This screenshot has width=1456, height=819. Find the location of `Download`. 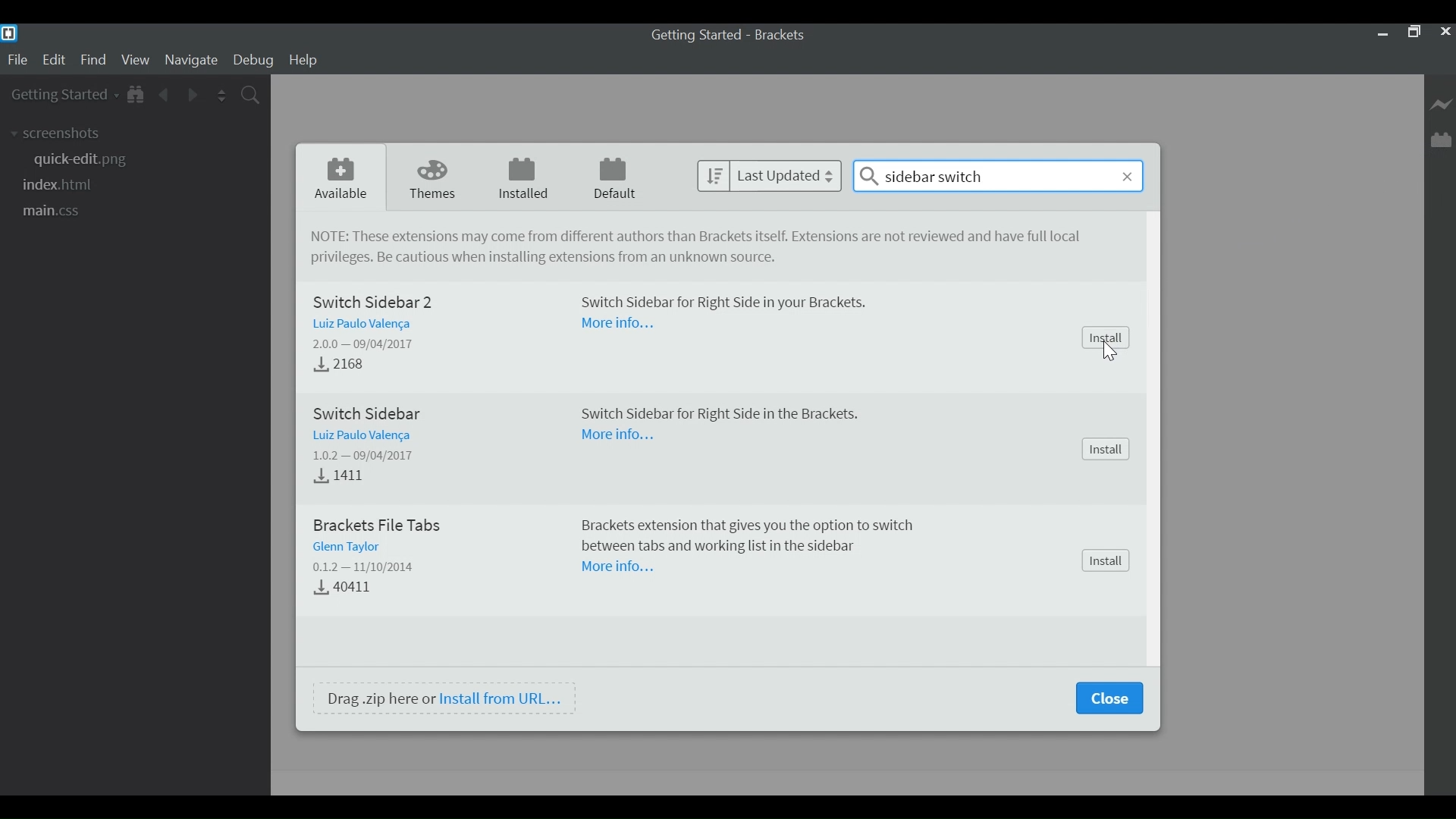

Download is located at coordinates (348, 586).